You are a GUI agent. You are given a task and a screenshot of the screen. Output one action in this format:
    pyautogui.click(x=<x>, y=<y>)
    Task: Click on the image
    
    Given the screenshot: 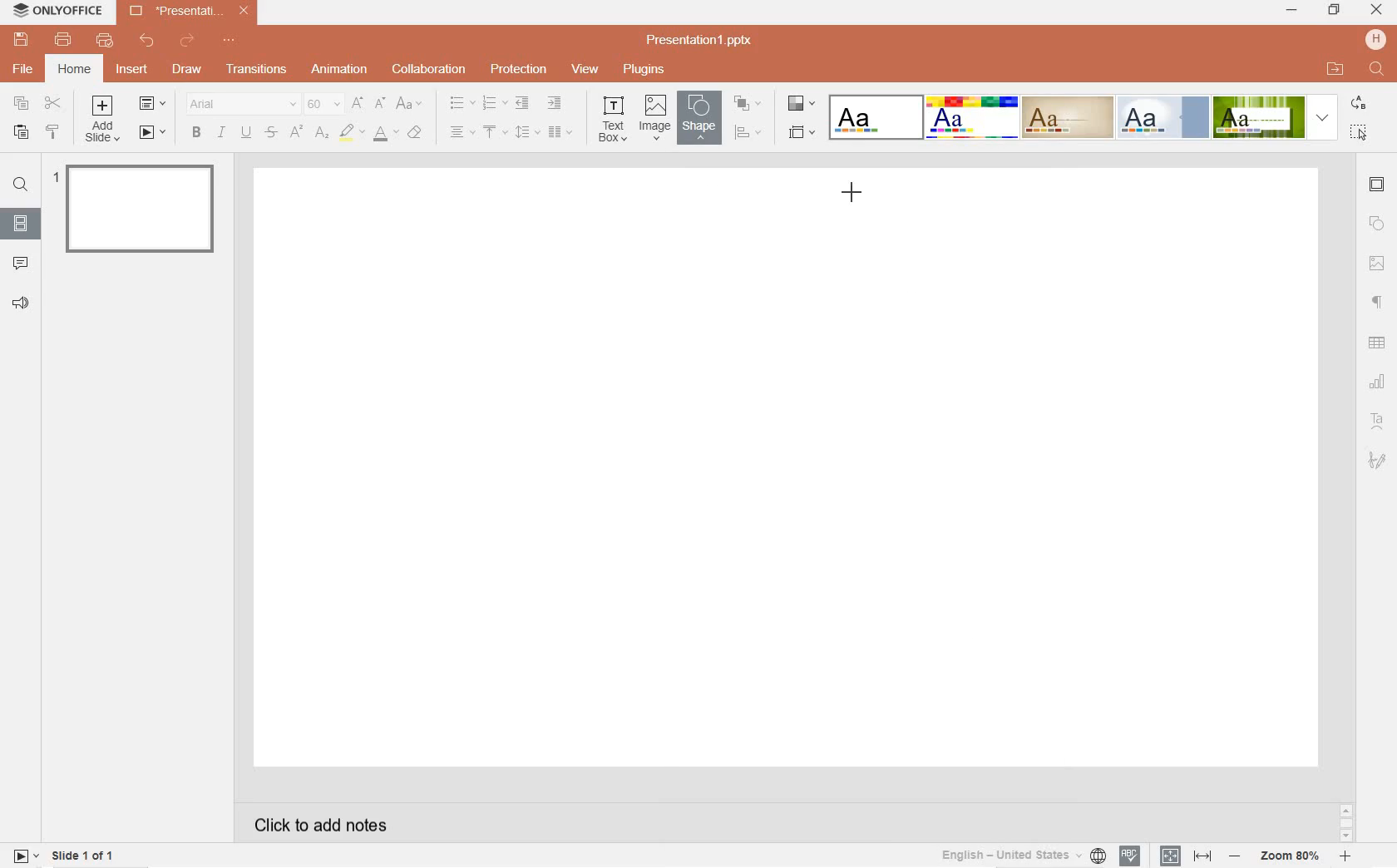 What is the action you would take?
    pyautogui.click(x=654, y=118)
    